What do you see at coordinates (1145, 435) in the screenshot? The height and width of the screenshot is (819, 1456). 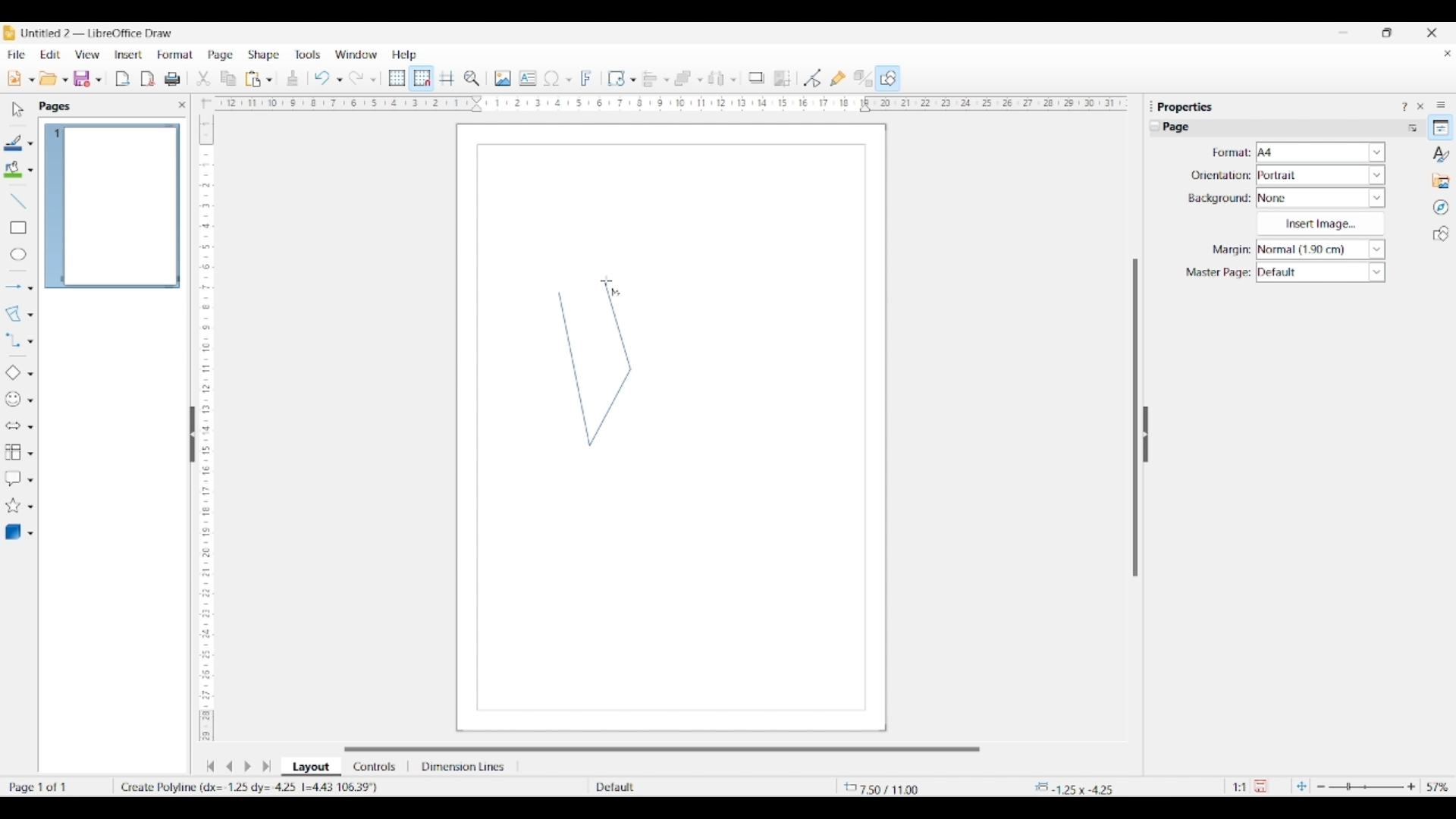 I see `Hide right sidebar` at bounding box center [1145, 435].